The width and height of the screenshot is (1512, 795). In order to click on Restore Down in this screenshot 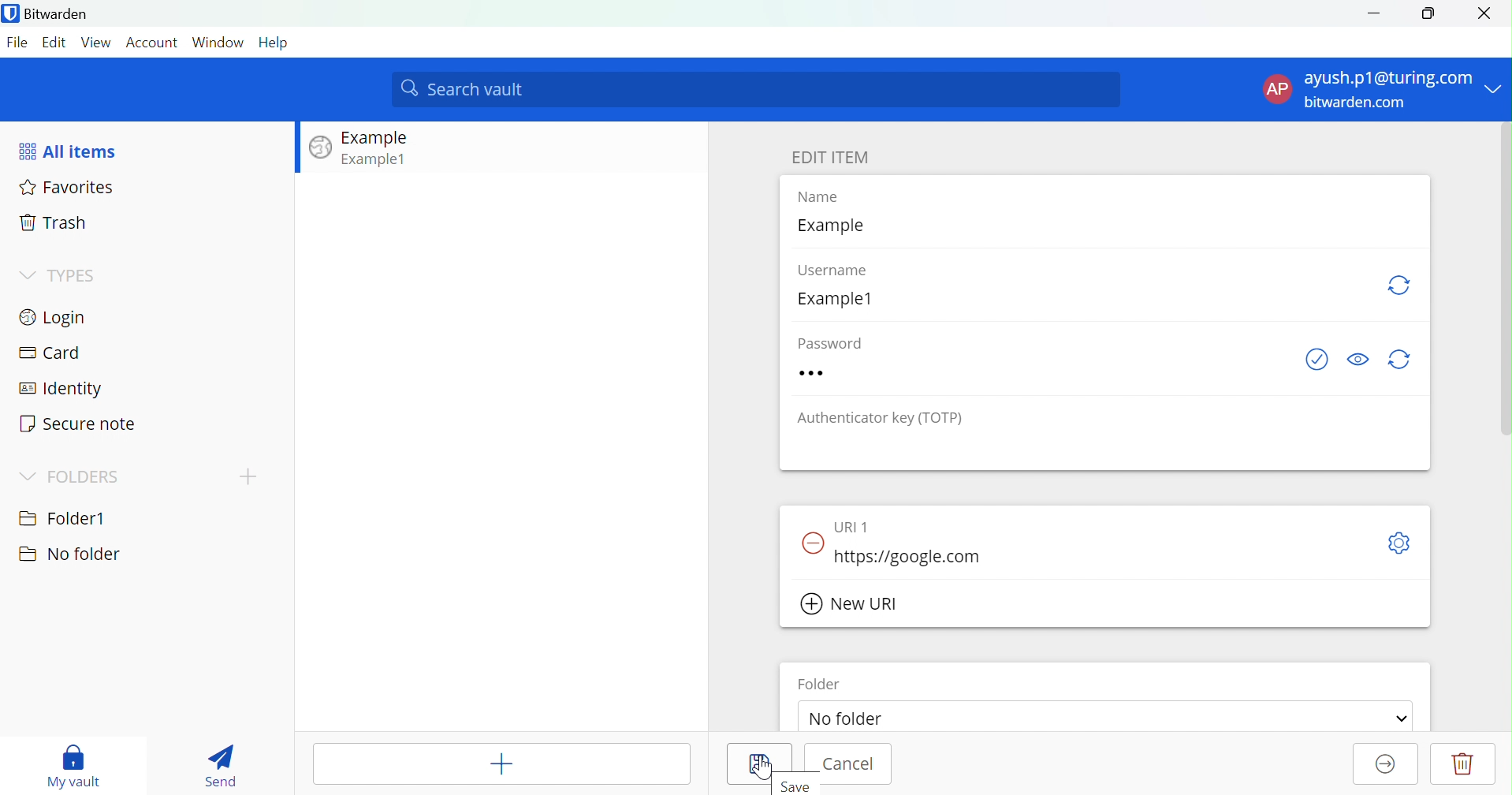, I will do `click(1428, 13)`.